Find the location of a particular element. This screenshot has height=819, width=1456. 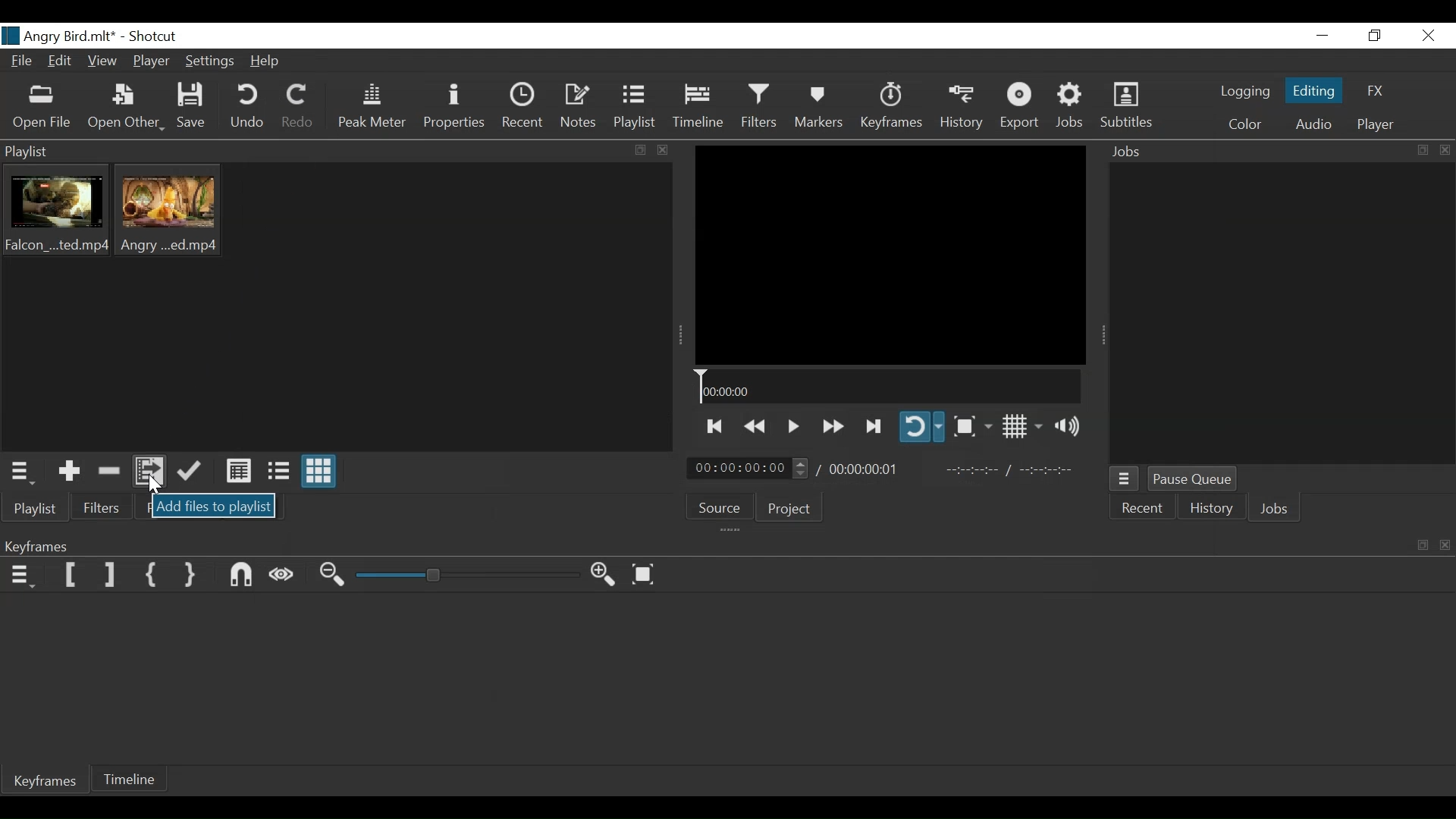

Settings is located at coordinates (212, 62).